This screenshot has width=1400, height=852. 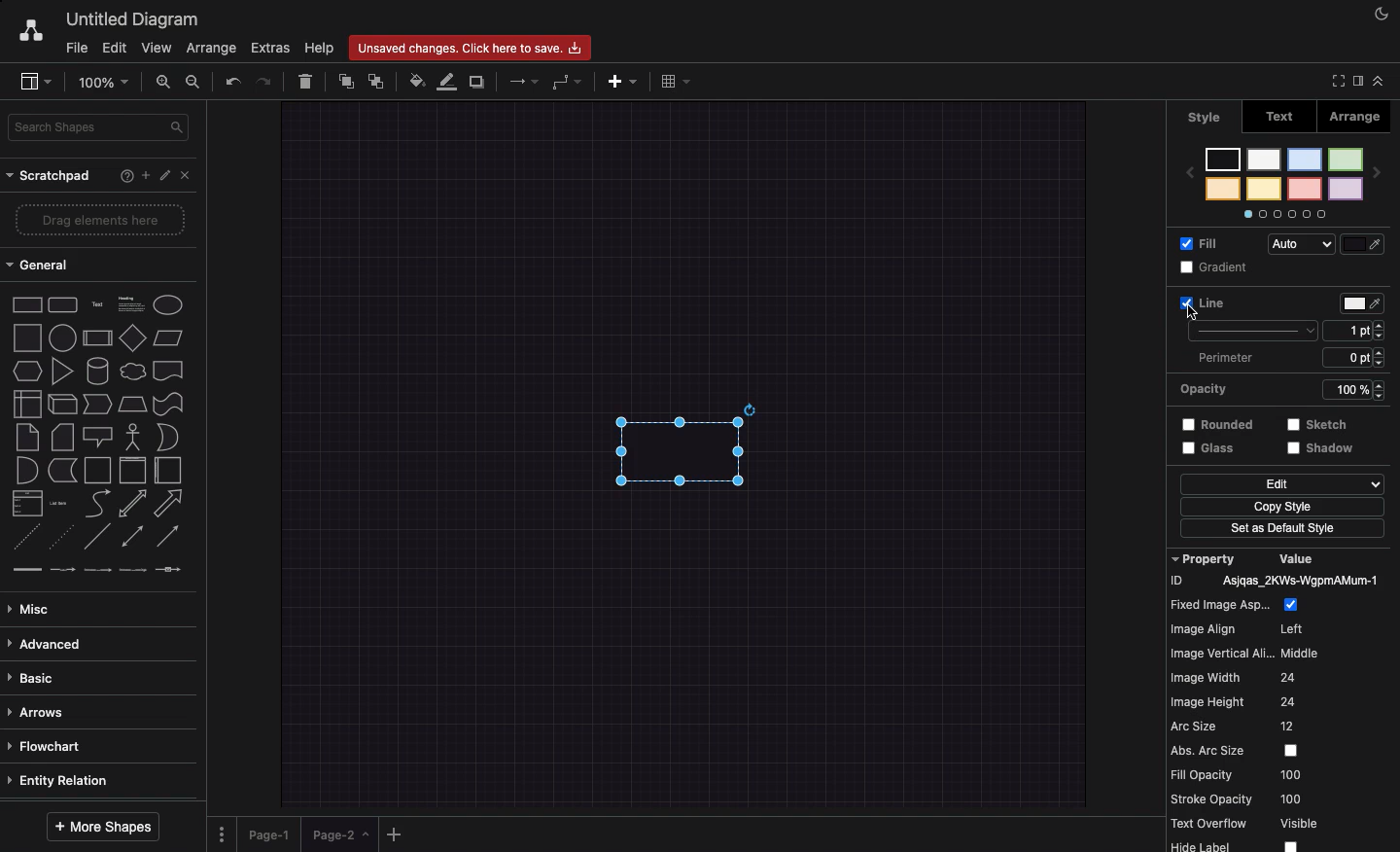 What do you see at coordinates (679, 445) in the screenshot?
I see `Added rectangle` at bounding box center [679, 445].